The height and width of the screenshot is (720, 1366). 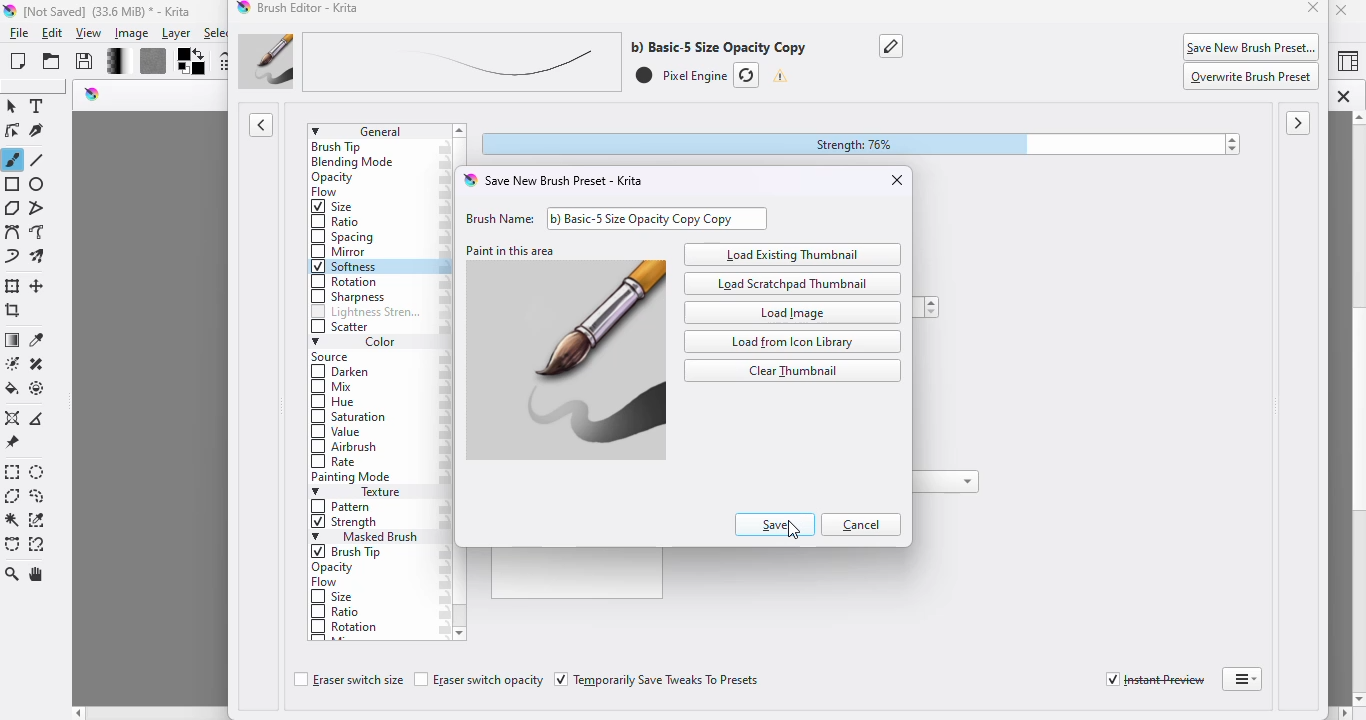 I want to click on enclose and fill tool, so click(x=38, y=388).